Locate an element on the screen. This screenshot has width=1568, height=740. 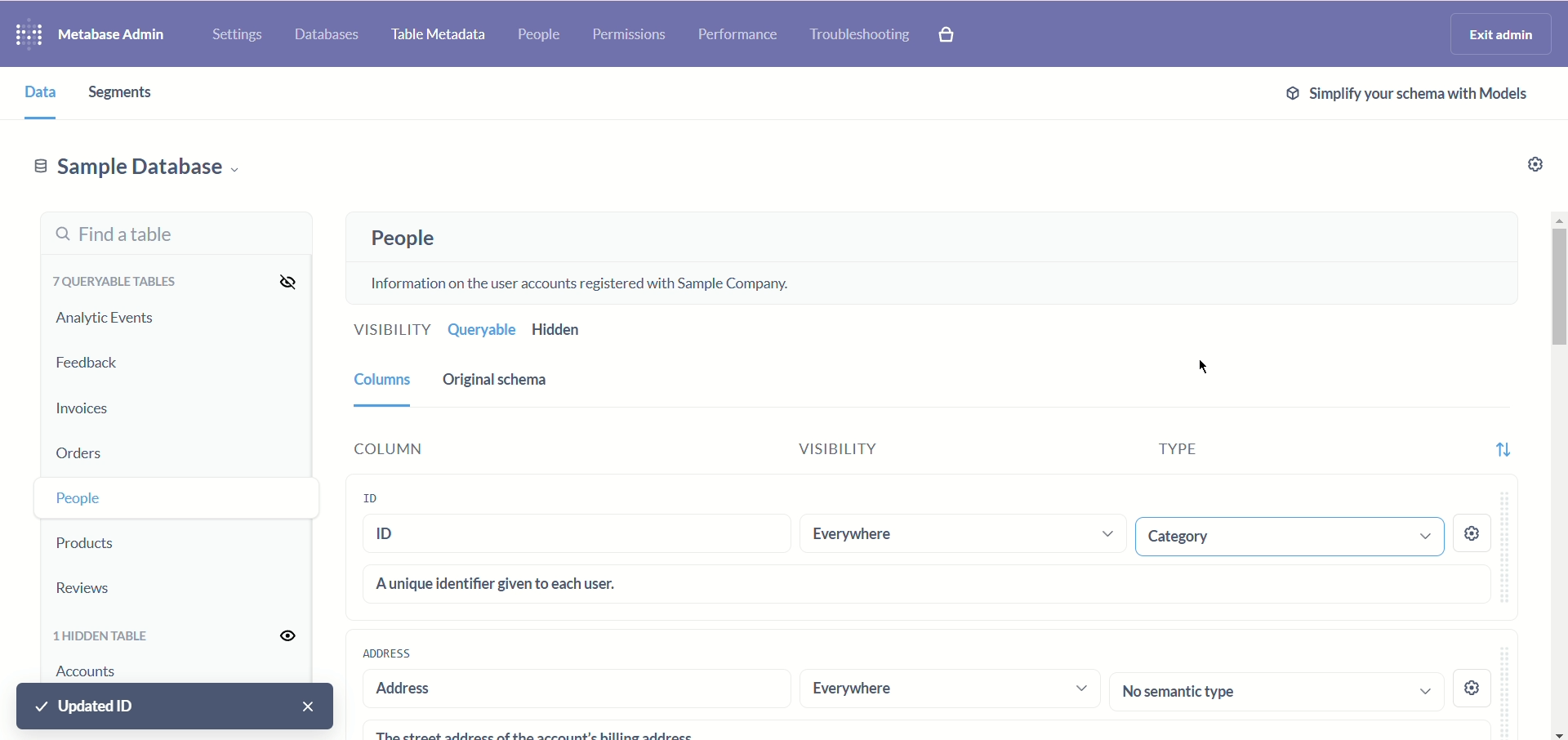
id is located at coordinates (386, 497).